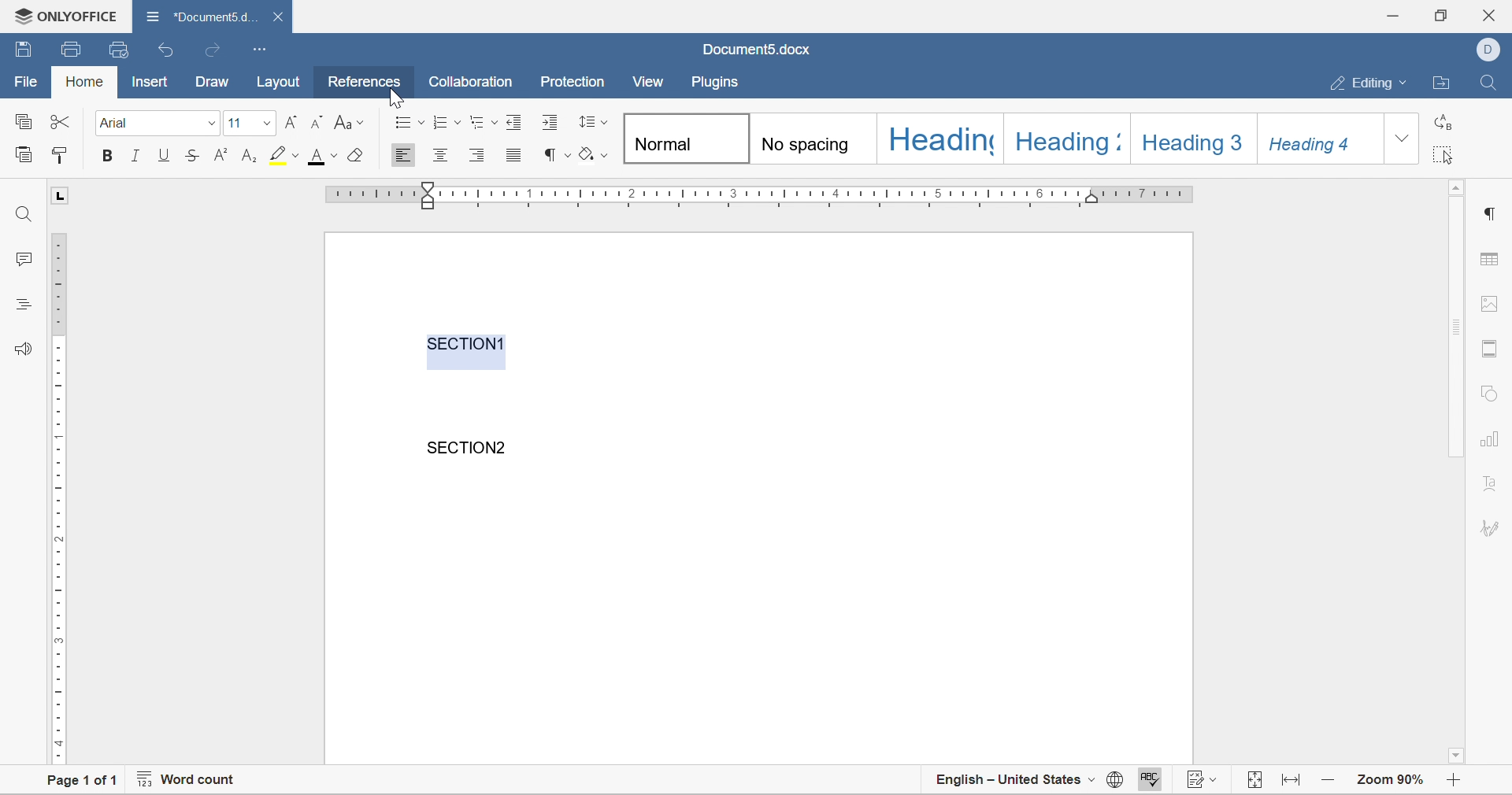  What do you see at coordinates (1488, 349) in the screenshot?
I see `header & footer settings` at bounding box center [1488, 349].